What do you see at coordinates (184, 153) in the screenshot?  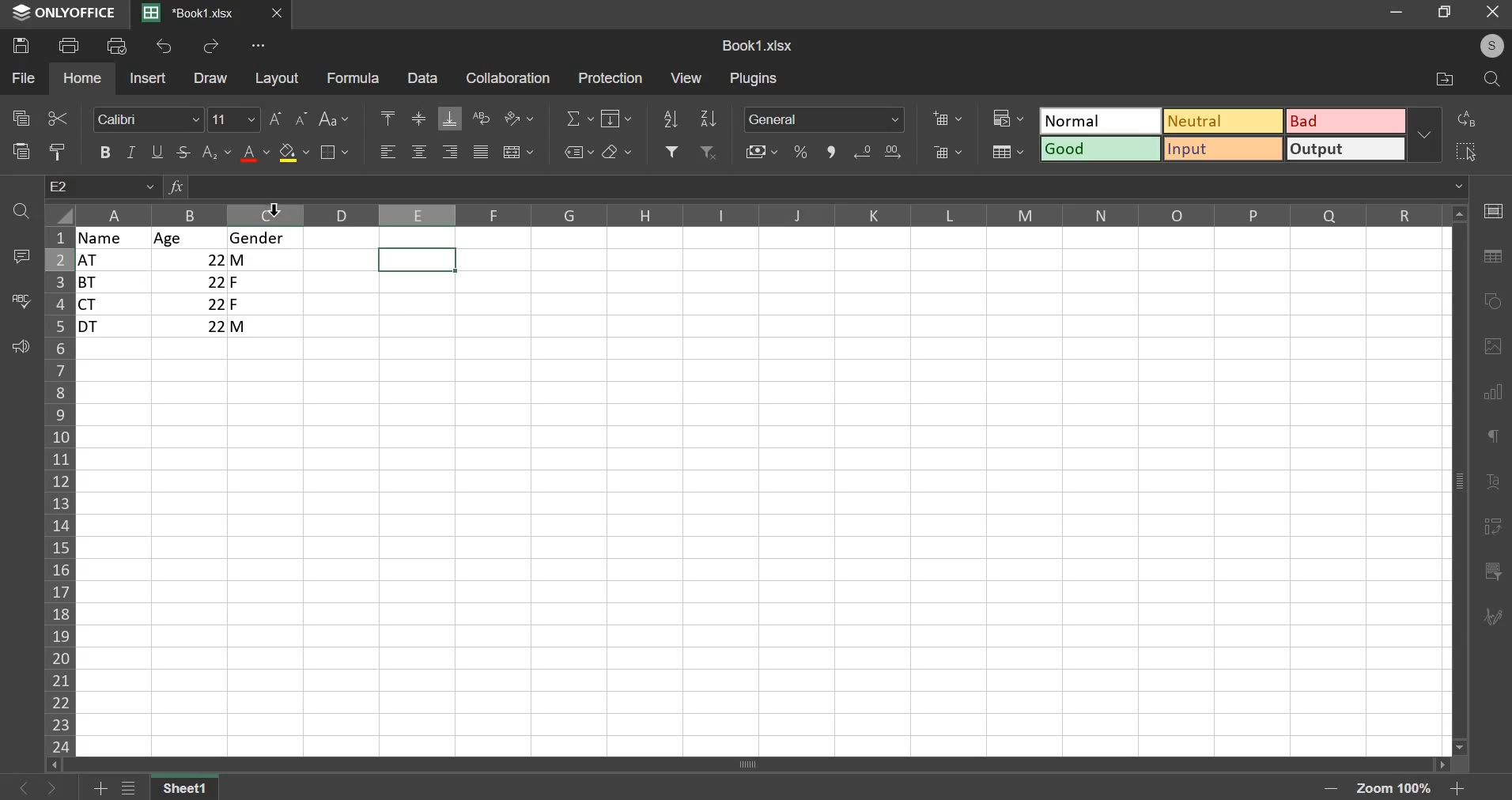 I see `strokethrough` at bounding box center [184, 153].